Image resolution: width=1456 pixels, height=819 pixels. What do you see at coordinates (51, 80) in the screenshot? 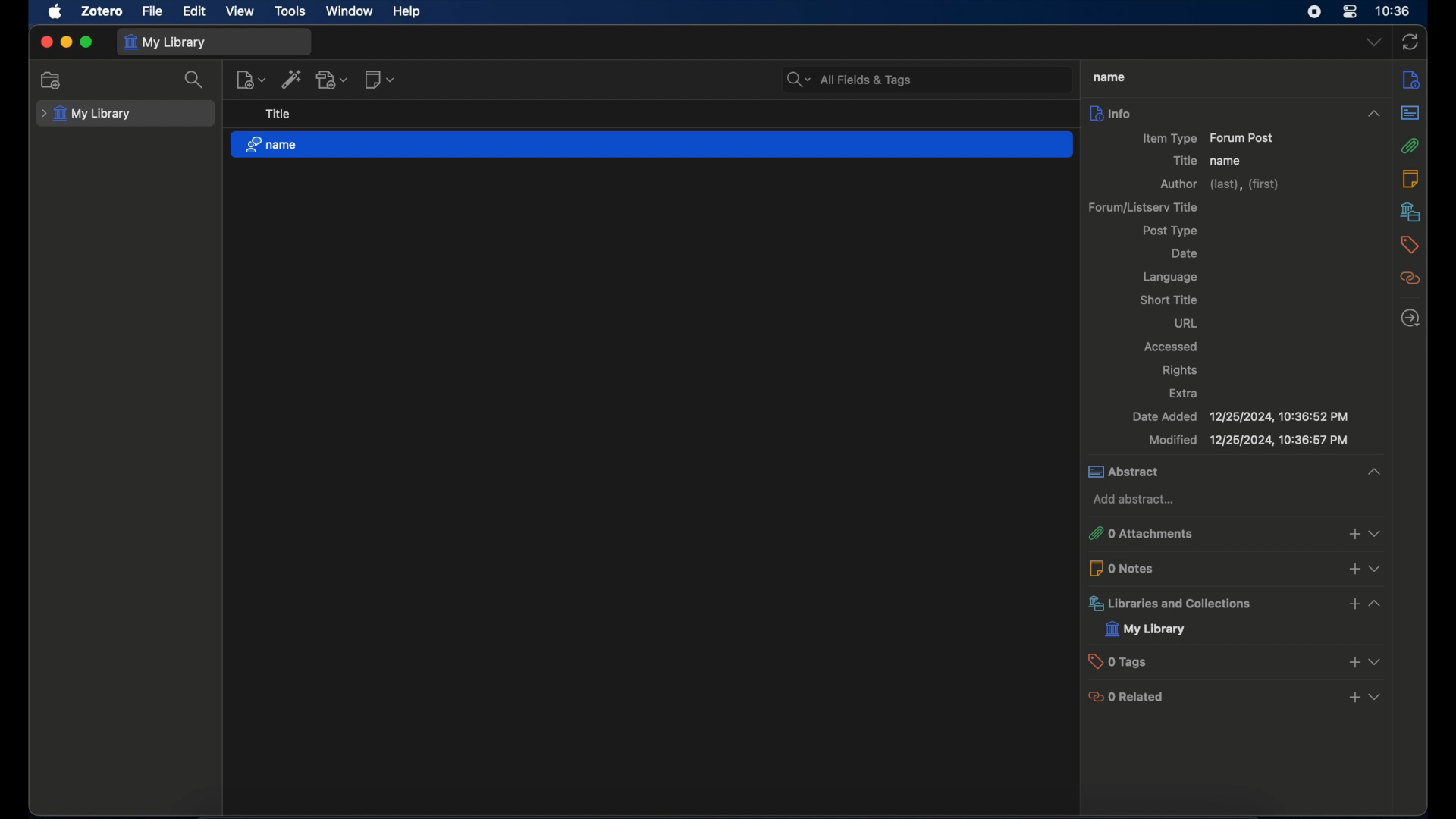
I see `new collection` at bounding box center [51, 80].